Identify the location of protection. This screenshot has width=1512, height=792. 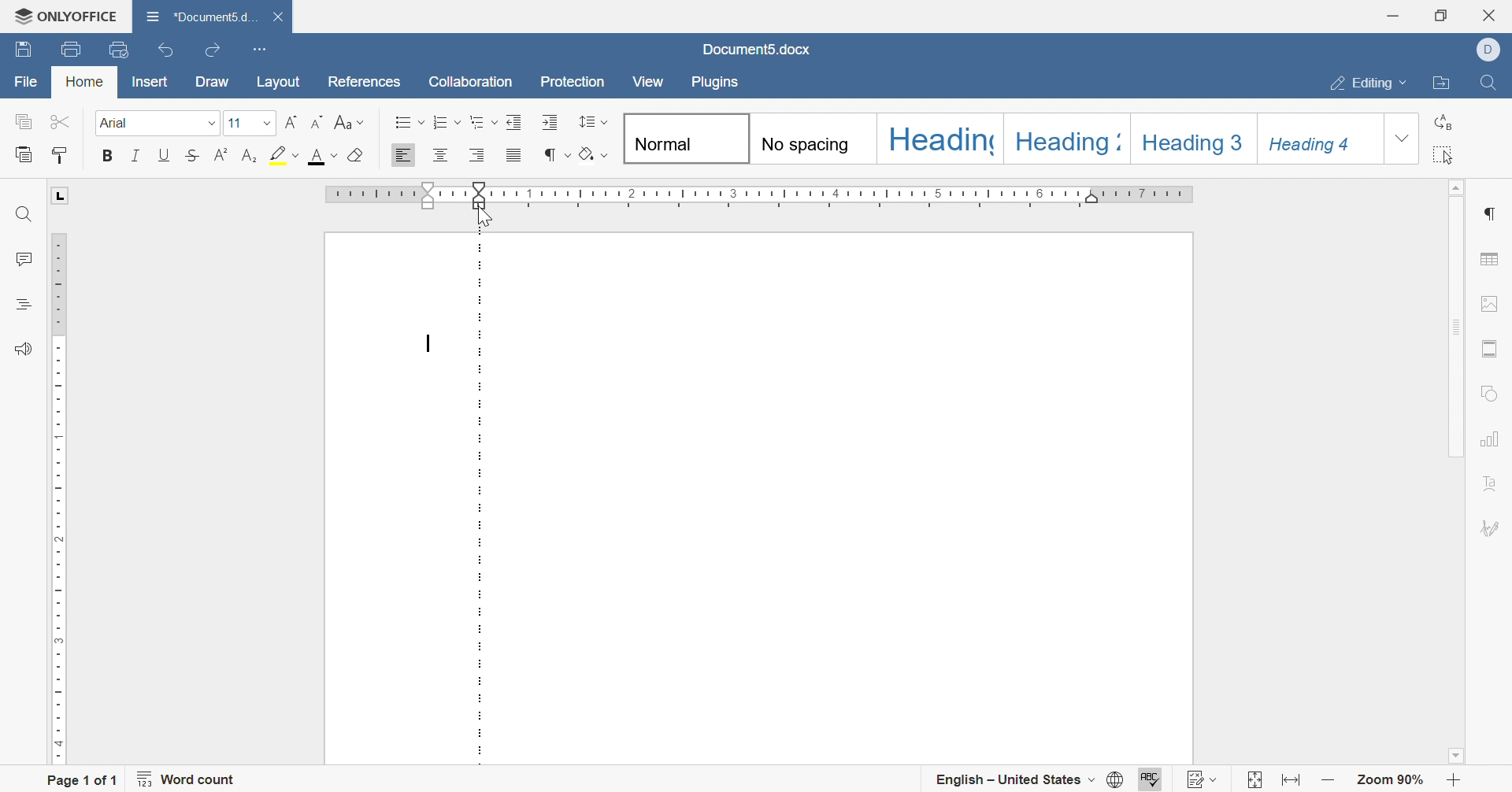
(572, 81).